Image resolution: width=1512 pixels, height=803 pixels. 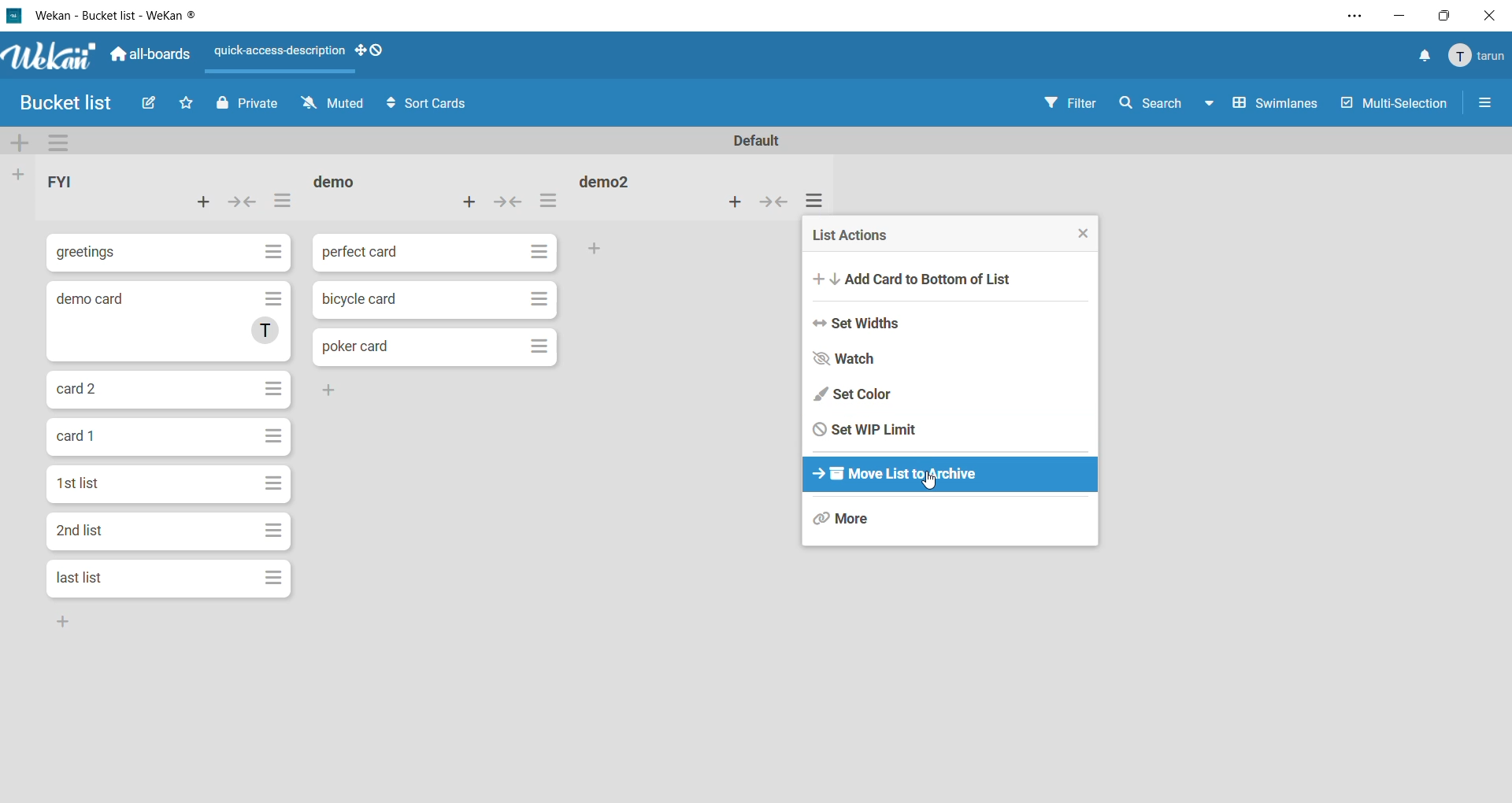 I want to click on multiselection, so click(x=1394, y=105).